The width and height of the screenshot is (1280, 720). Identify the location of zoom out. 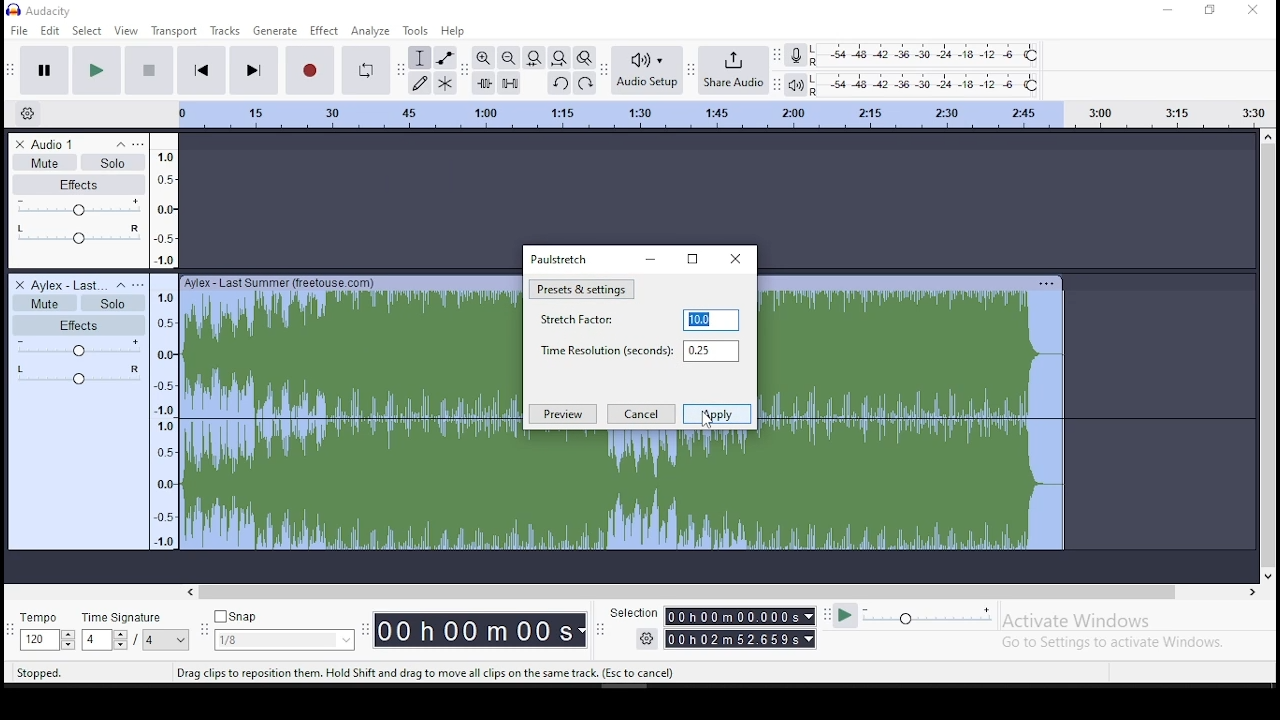
(508, 58).